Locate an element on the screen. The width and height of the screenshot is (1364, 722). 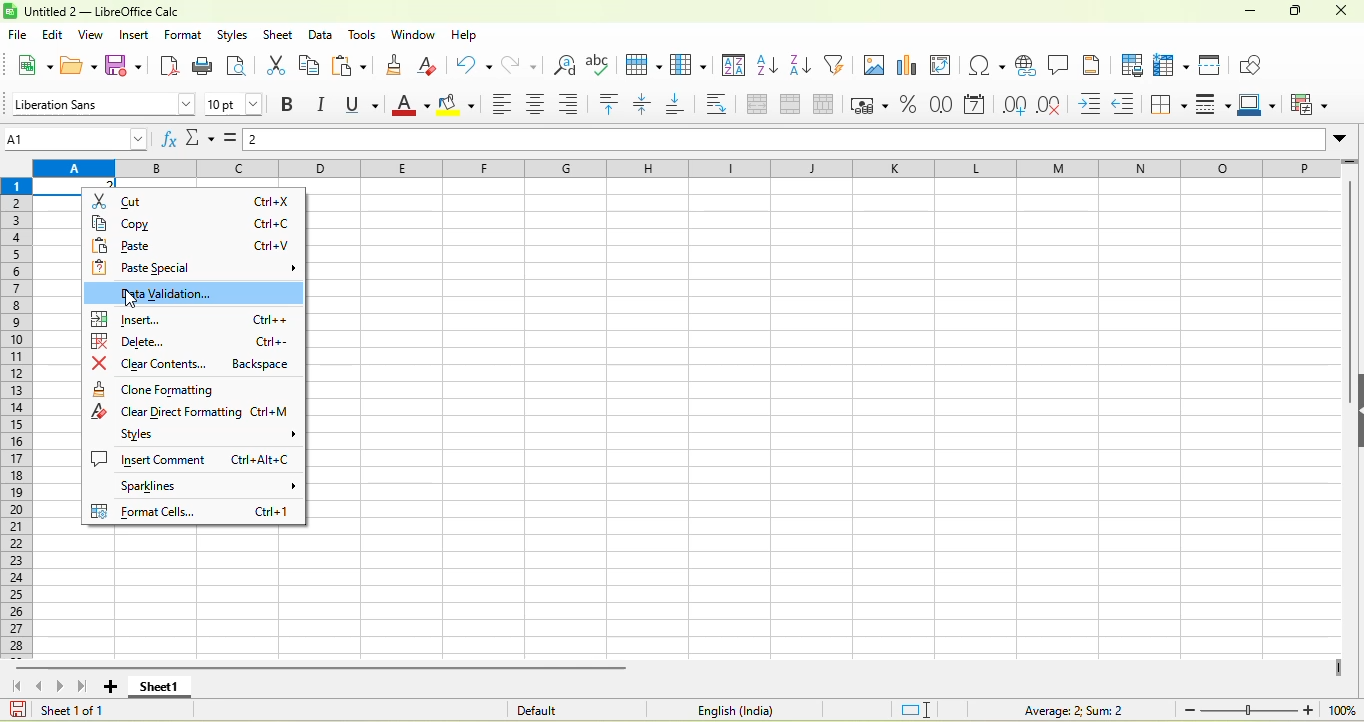
clear directly formatting is located at coordinates (438, 65).